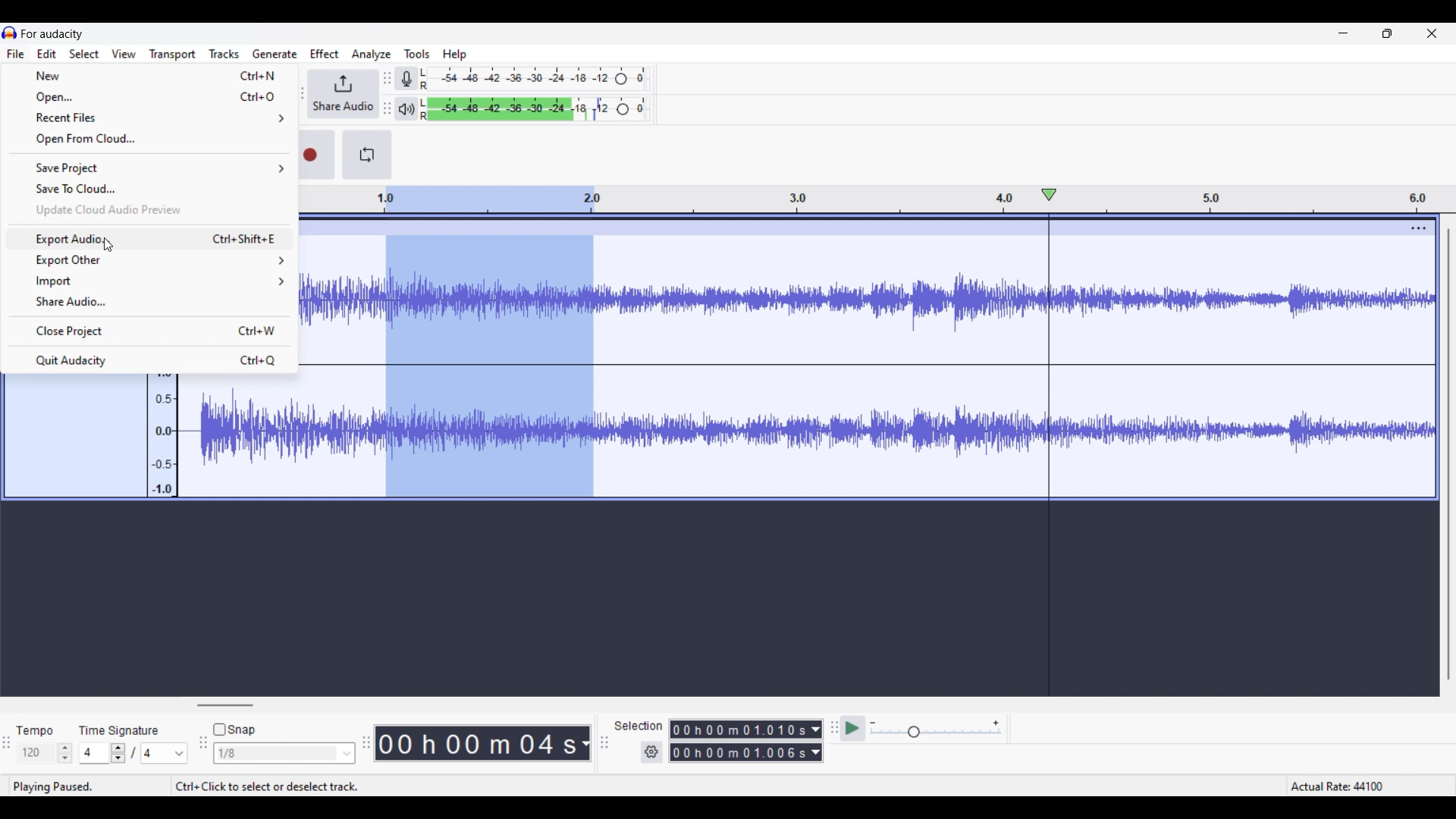 This screenshot has height=819, width=1456. Describe the element at coordinates (1448, 453) in the screenshot. I see `Vertical slide bar` at that location.